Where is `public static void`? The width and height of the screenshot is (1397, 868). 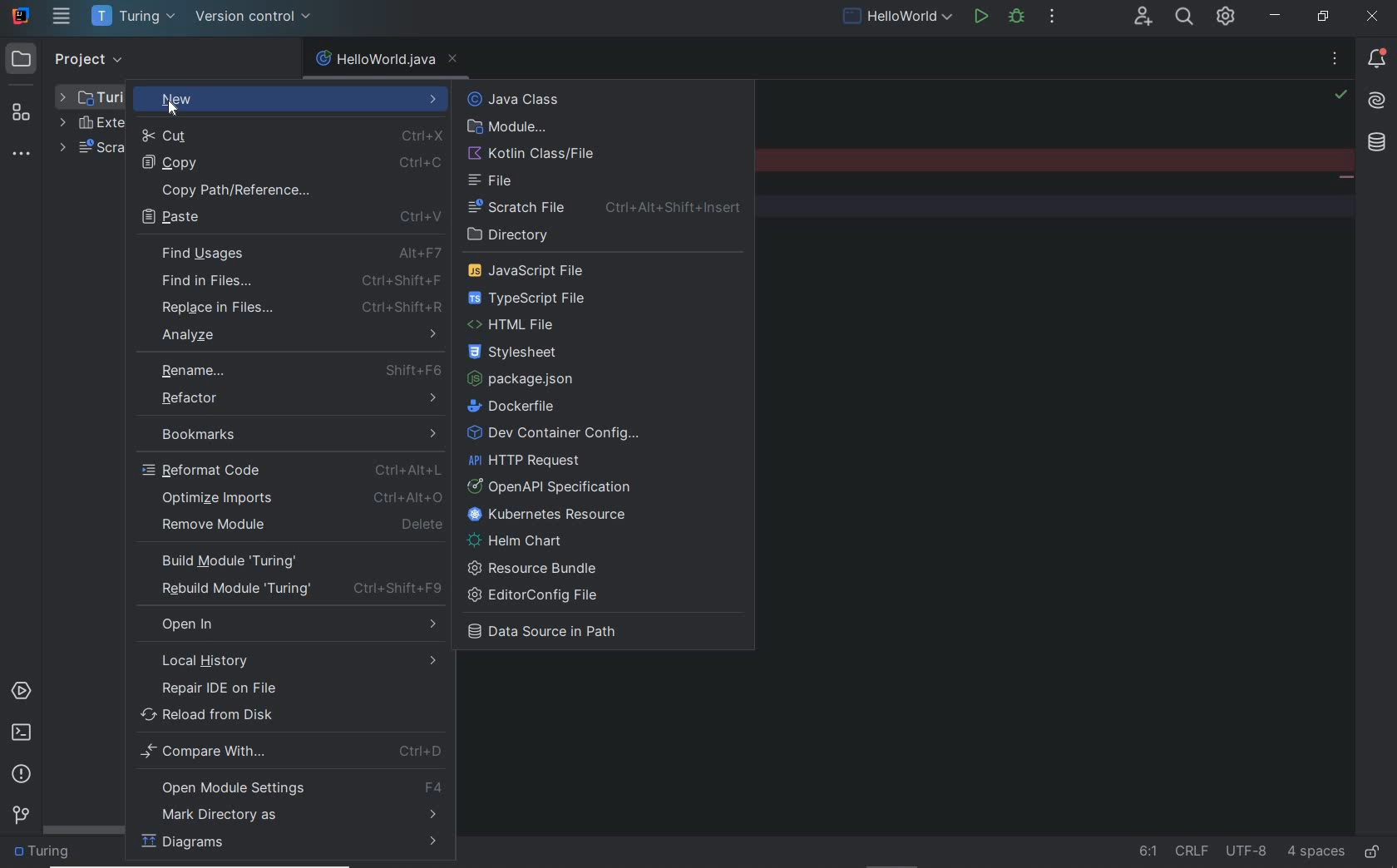
public static void is located at coordinates (1345, 179).